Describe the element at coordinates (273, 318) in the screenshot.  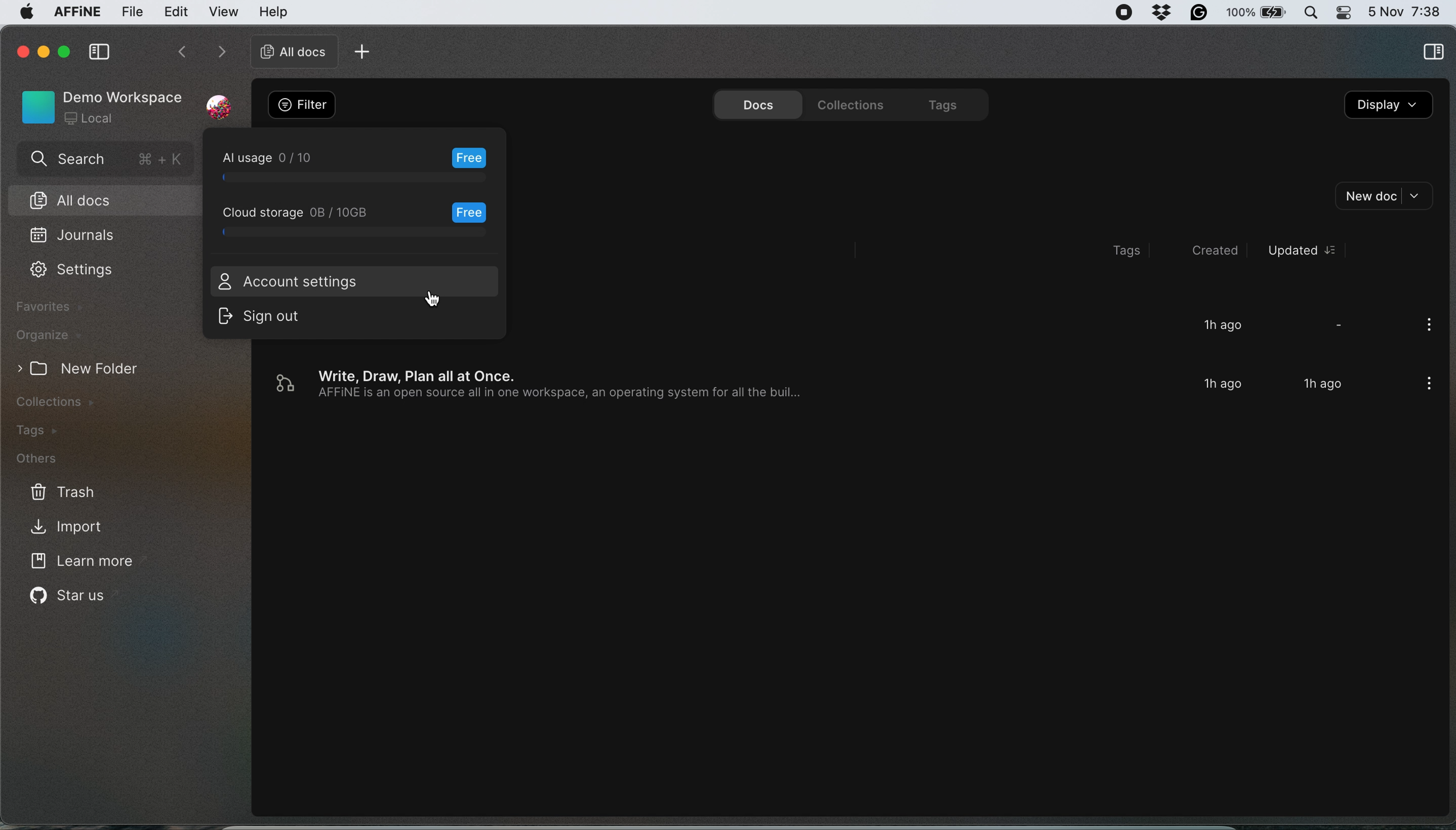
I see `sign out` at that location.